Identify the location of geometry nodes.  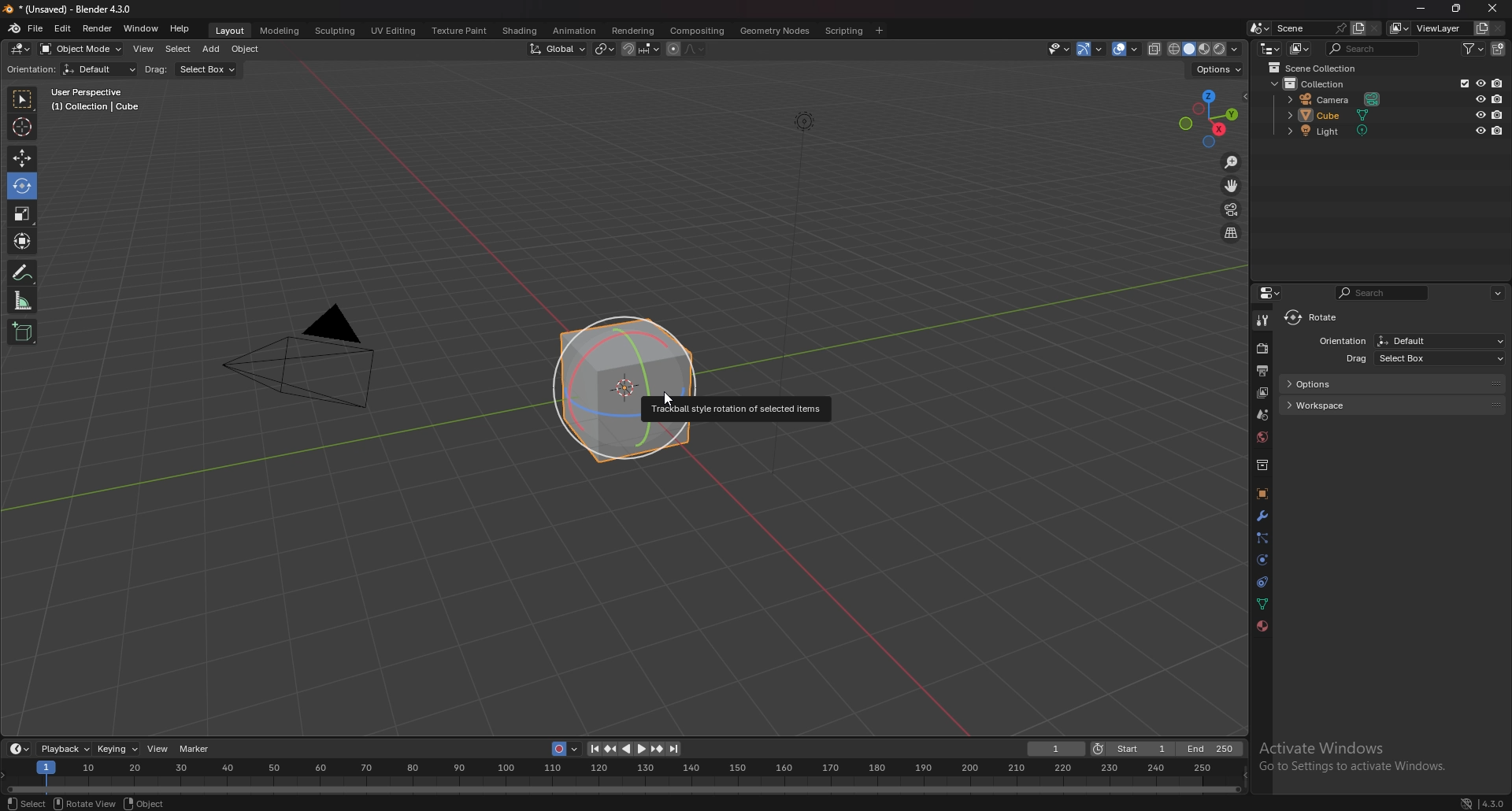
(776, 31).